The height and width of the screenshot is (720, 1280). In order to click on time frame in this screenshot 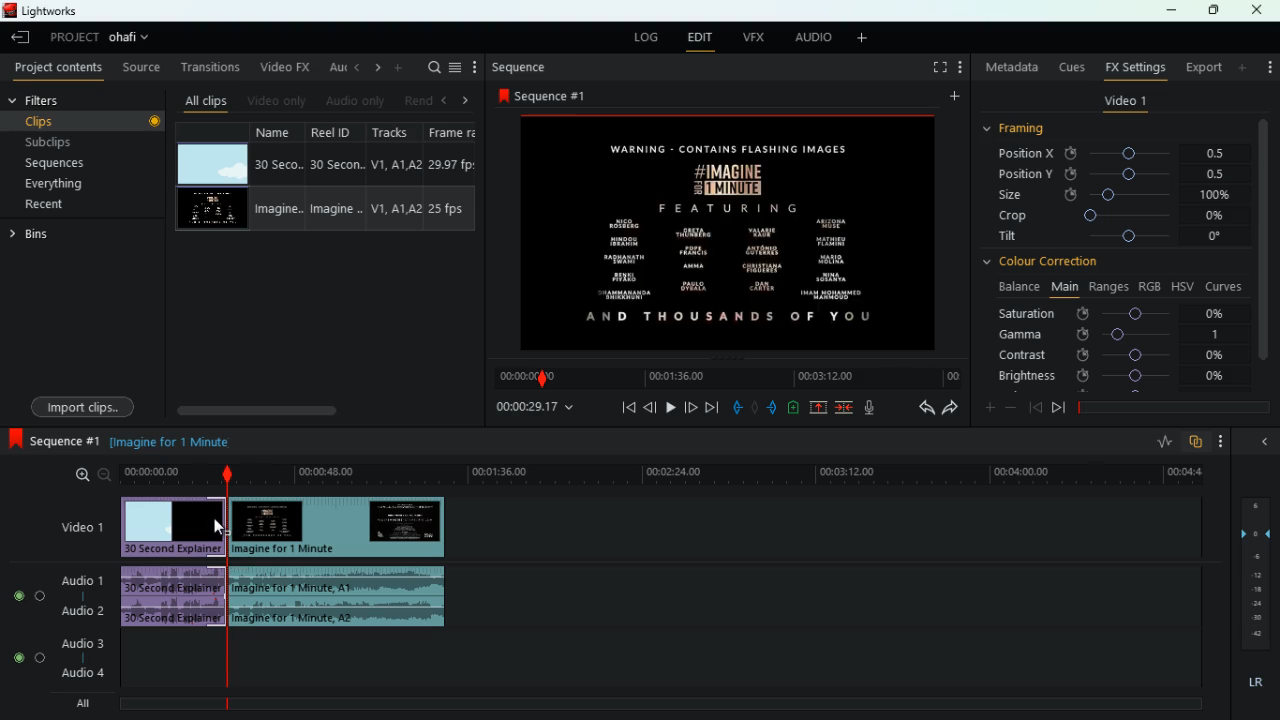, I will do `click(1174, 408)`.